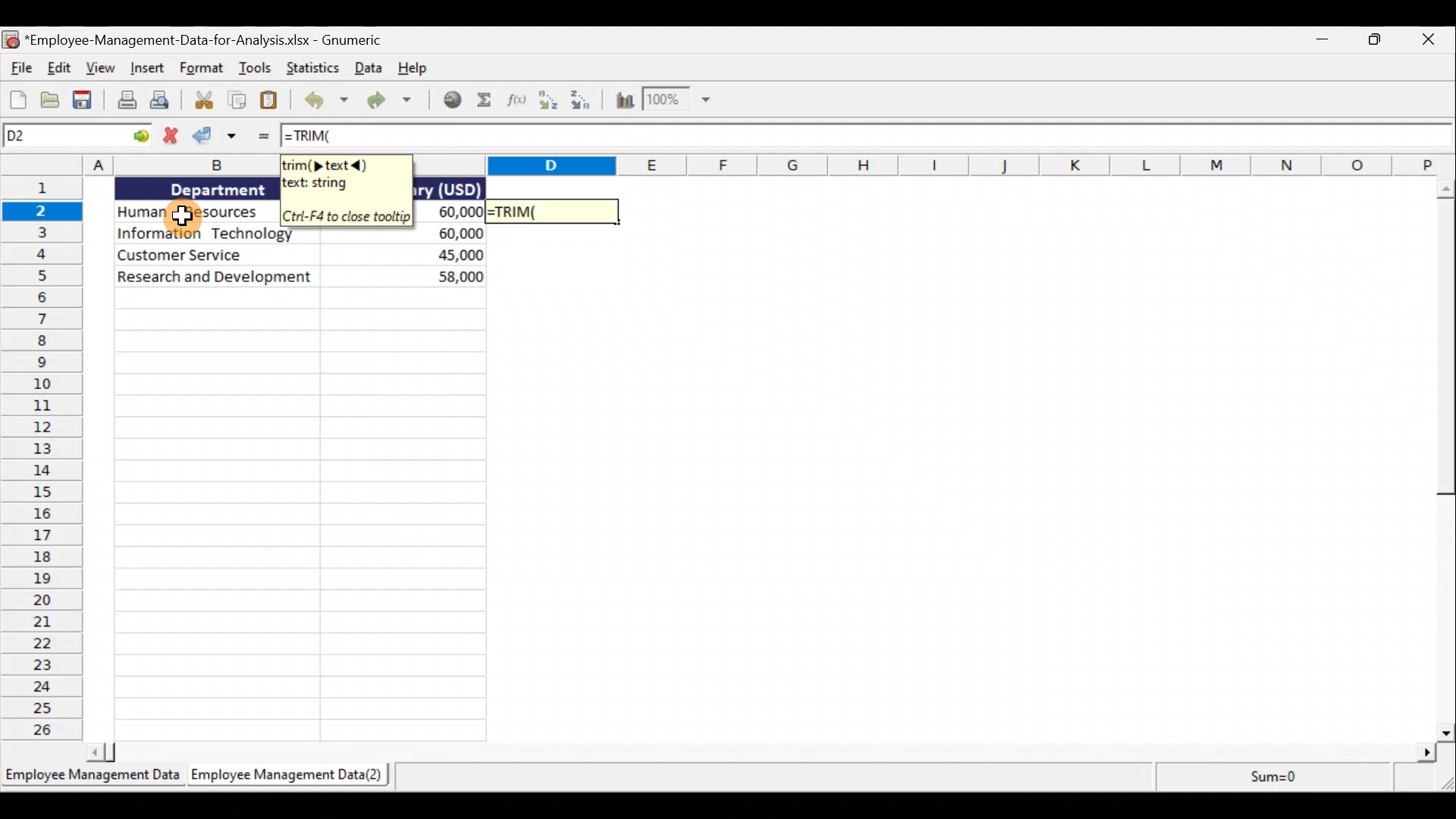 The image size is (1456, 819). Describe the element at coordinates (313, 68) in the screenshot. I see `Statistics` at that location.